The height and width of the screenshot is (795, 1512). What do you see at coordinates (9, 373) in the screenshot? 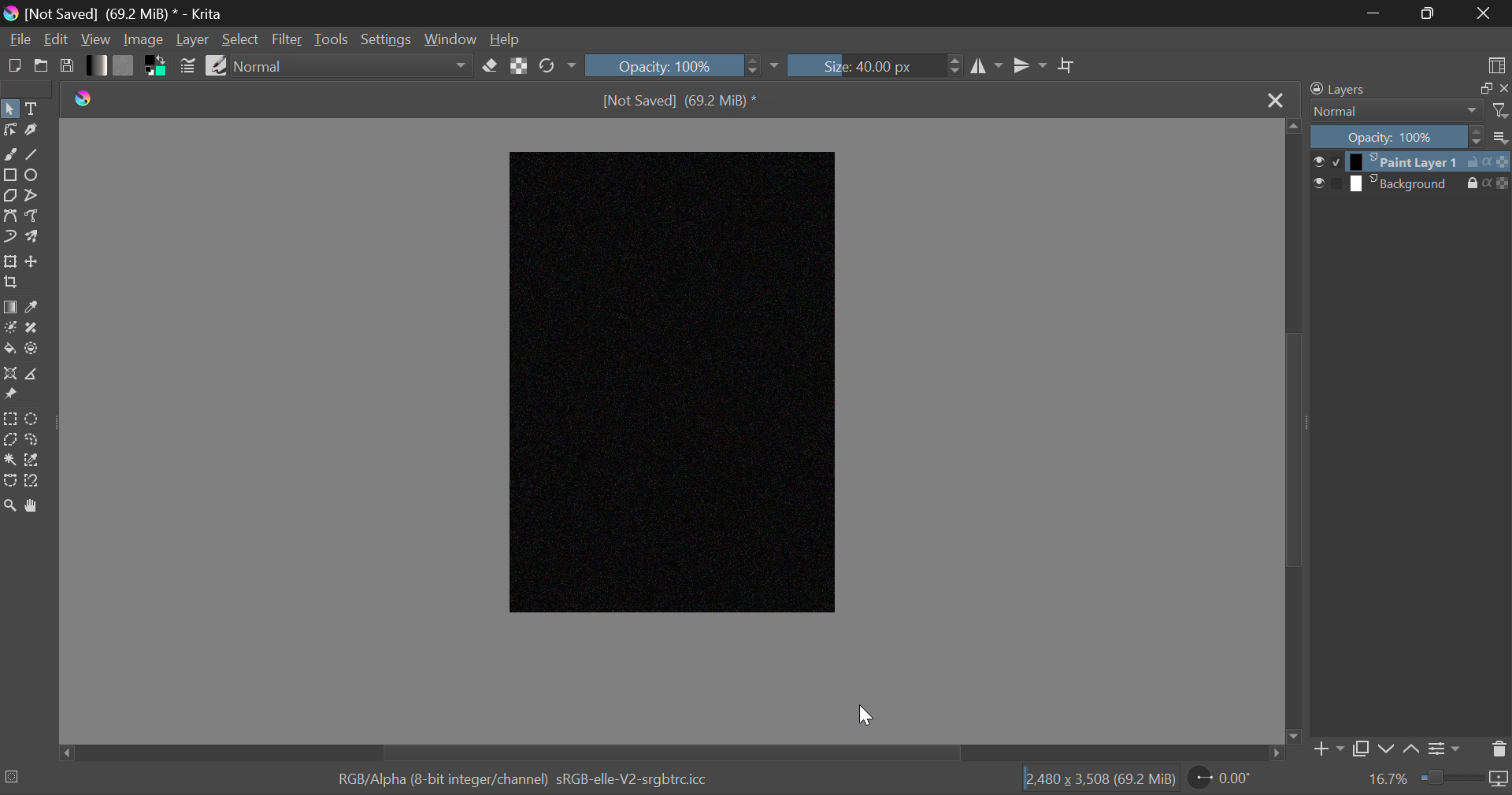
I see `Assistant Tool` at bounding box center [9, 373].